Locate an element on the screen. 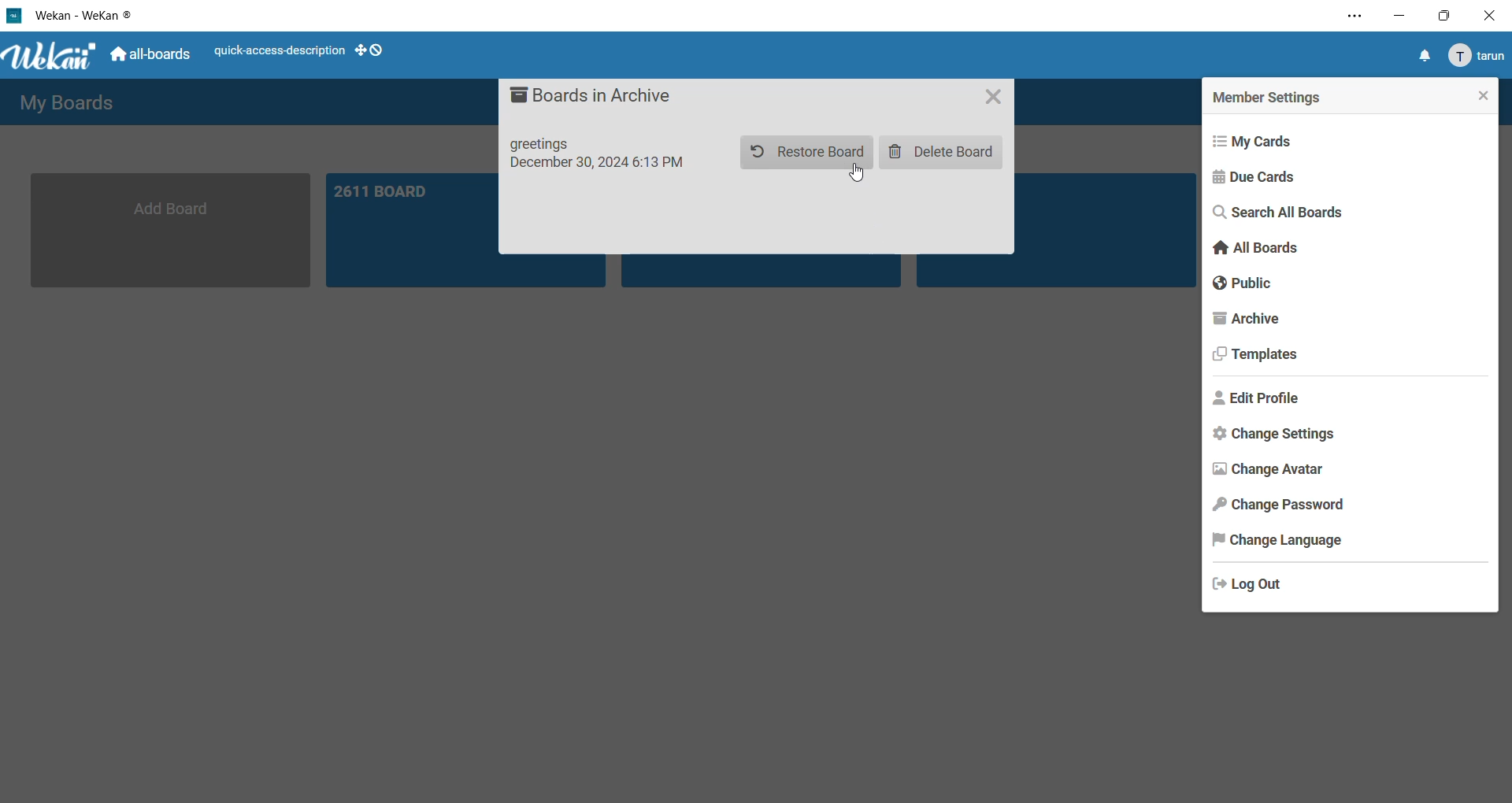  archive is located at coordinates (1248, 322).